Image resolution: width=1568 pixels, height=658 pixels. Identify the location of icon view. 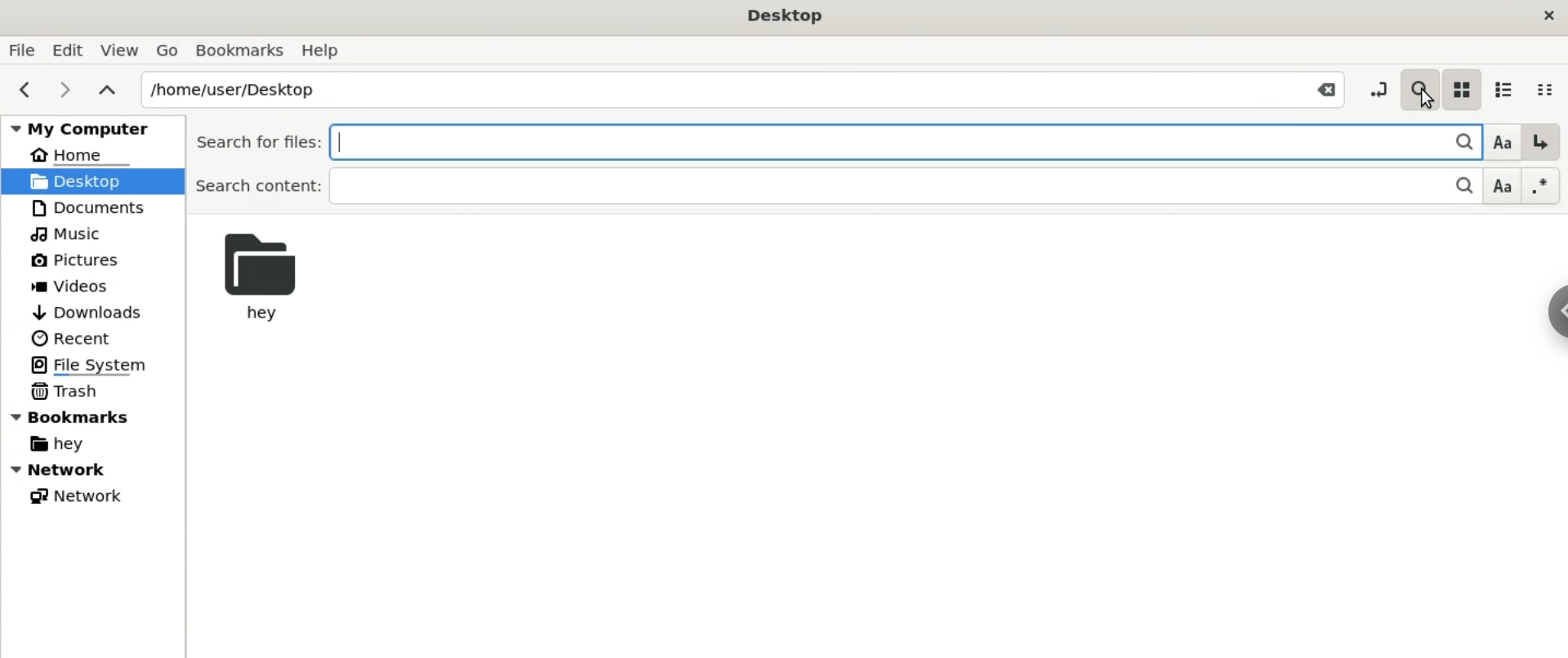
(1461, 87).